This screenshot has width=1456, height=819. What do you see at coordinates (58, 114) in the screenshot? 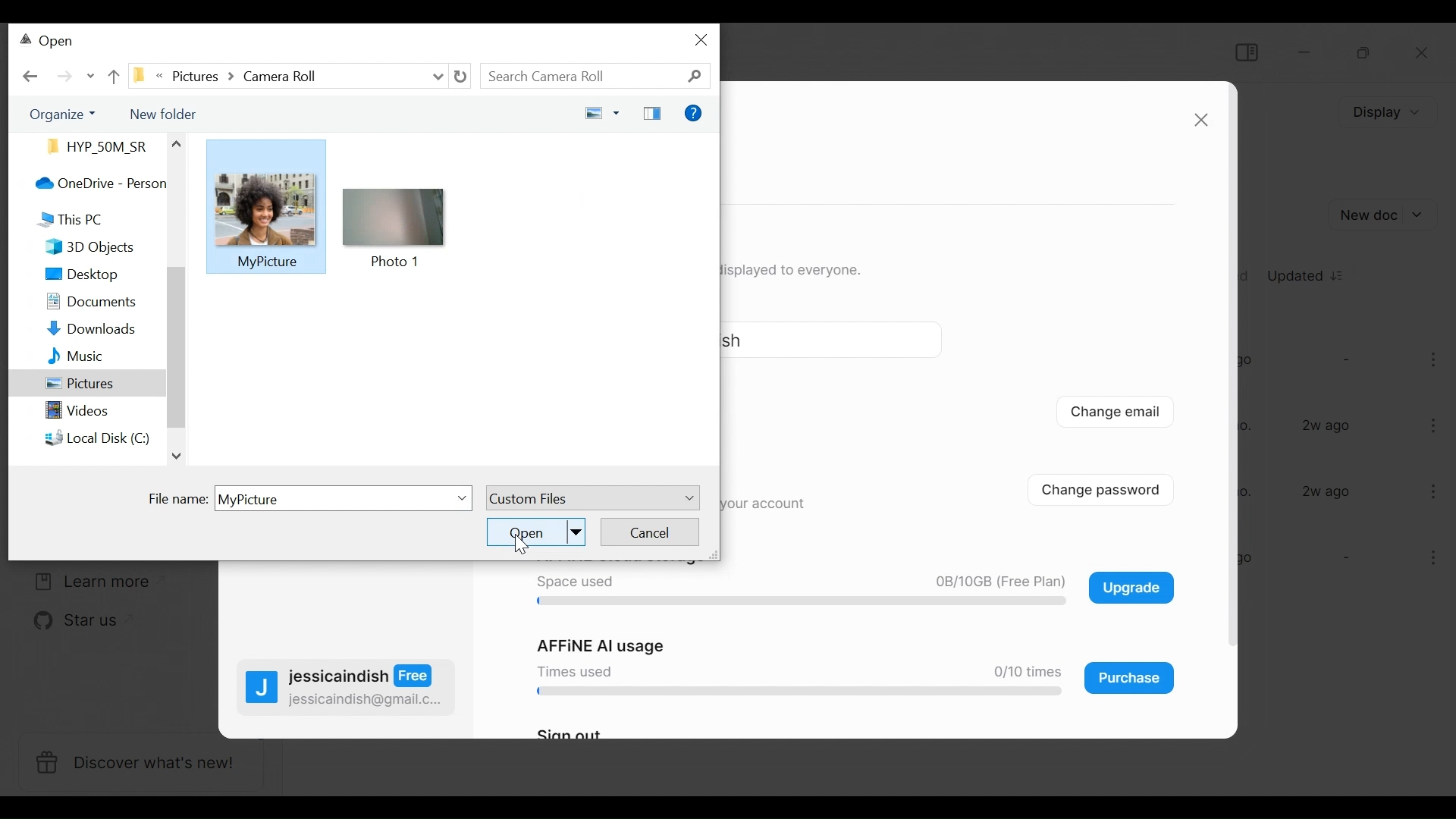
I see `Organize` at bounding box center [58, 114].